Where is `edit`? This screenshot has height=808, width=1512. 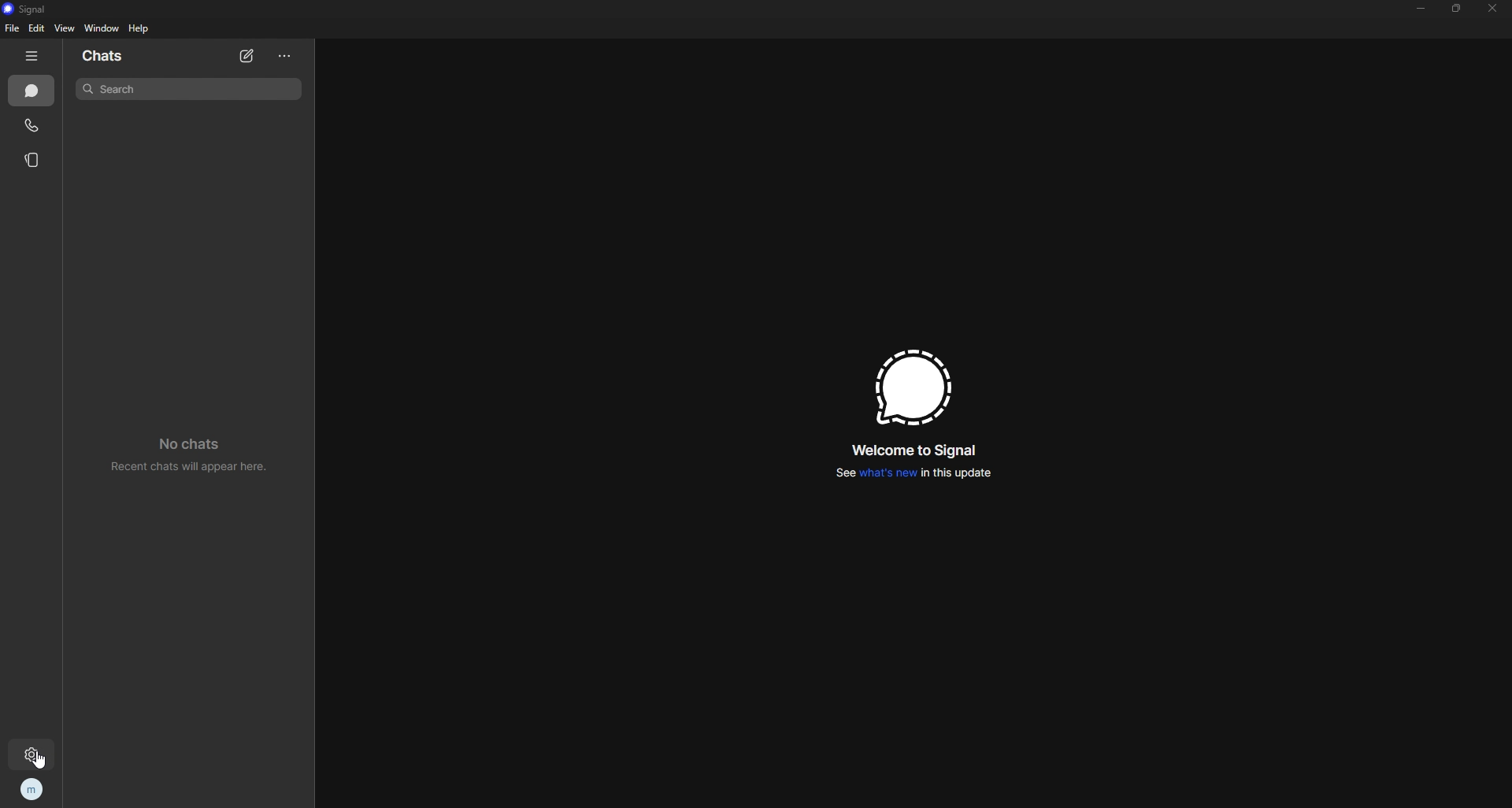
edit is located at coordinates (38, 28).